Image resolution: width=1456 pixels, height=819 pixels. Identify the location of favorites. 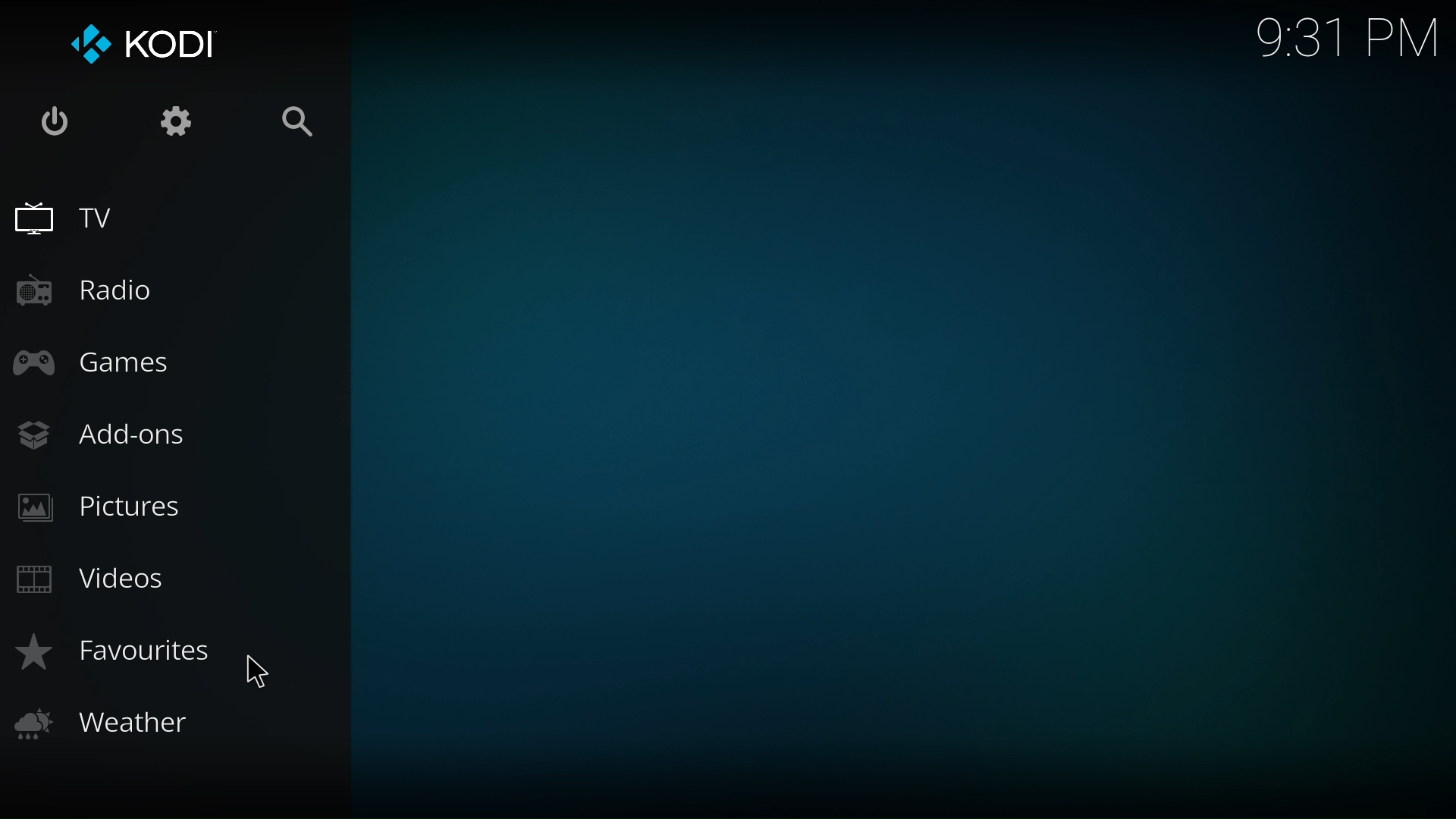
(115, 653).